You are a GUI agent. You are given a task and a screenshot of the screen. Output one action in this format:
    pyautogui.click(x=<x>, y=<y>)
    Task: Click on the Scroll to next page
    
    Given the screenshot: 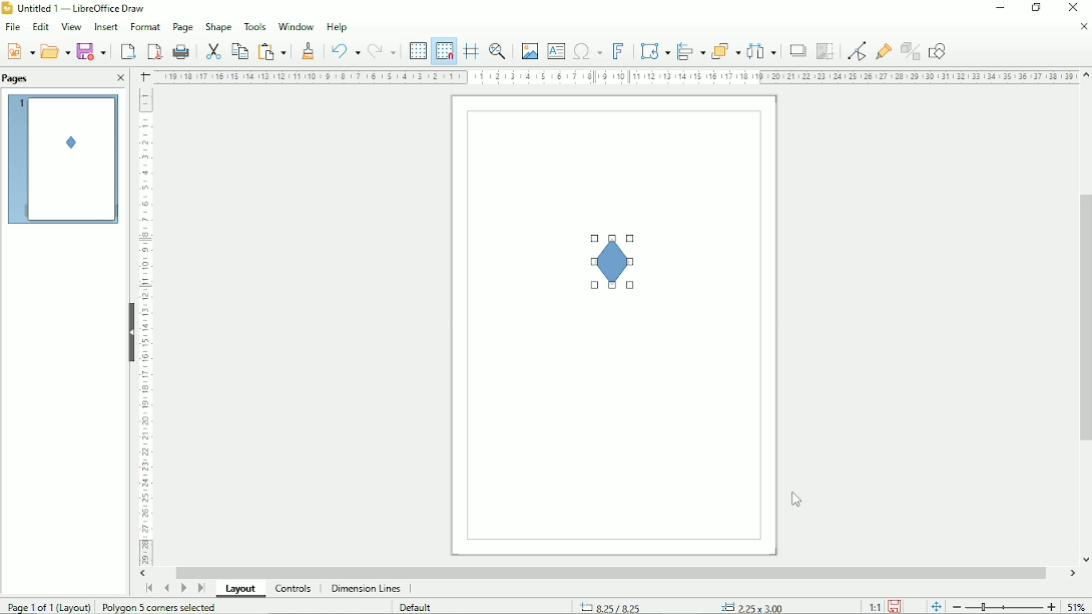 What is the action you would take?
    pyautogui.click(x=184, y=589)
    